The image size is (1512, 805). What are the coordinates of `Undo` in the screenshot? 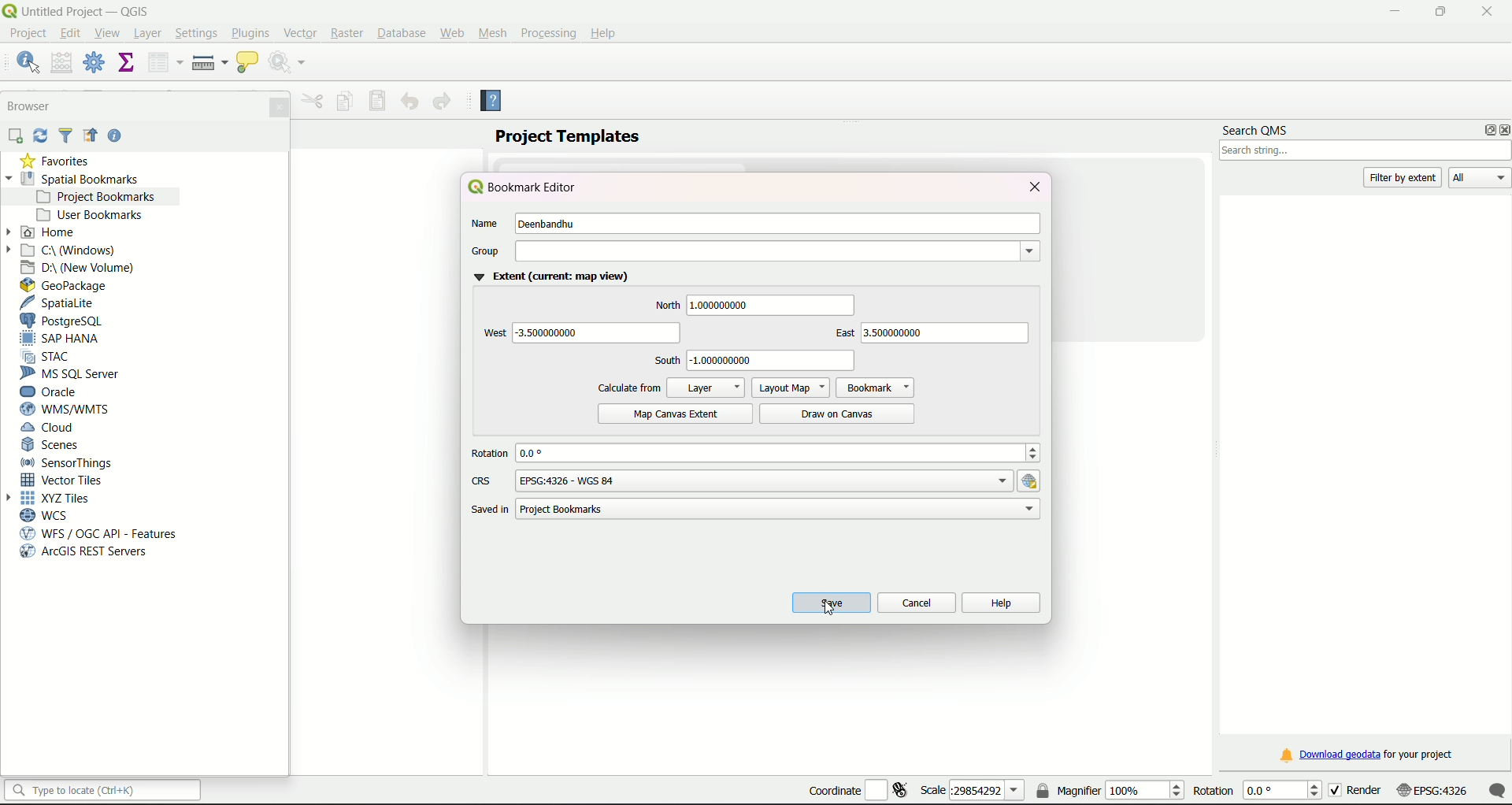 It's located at (409, 101).